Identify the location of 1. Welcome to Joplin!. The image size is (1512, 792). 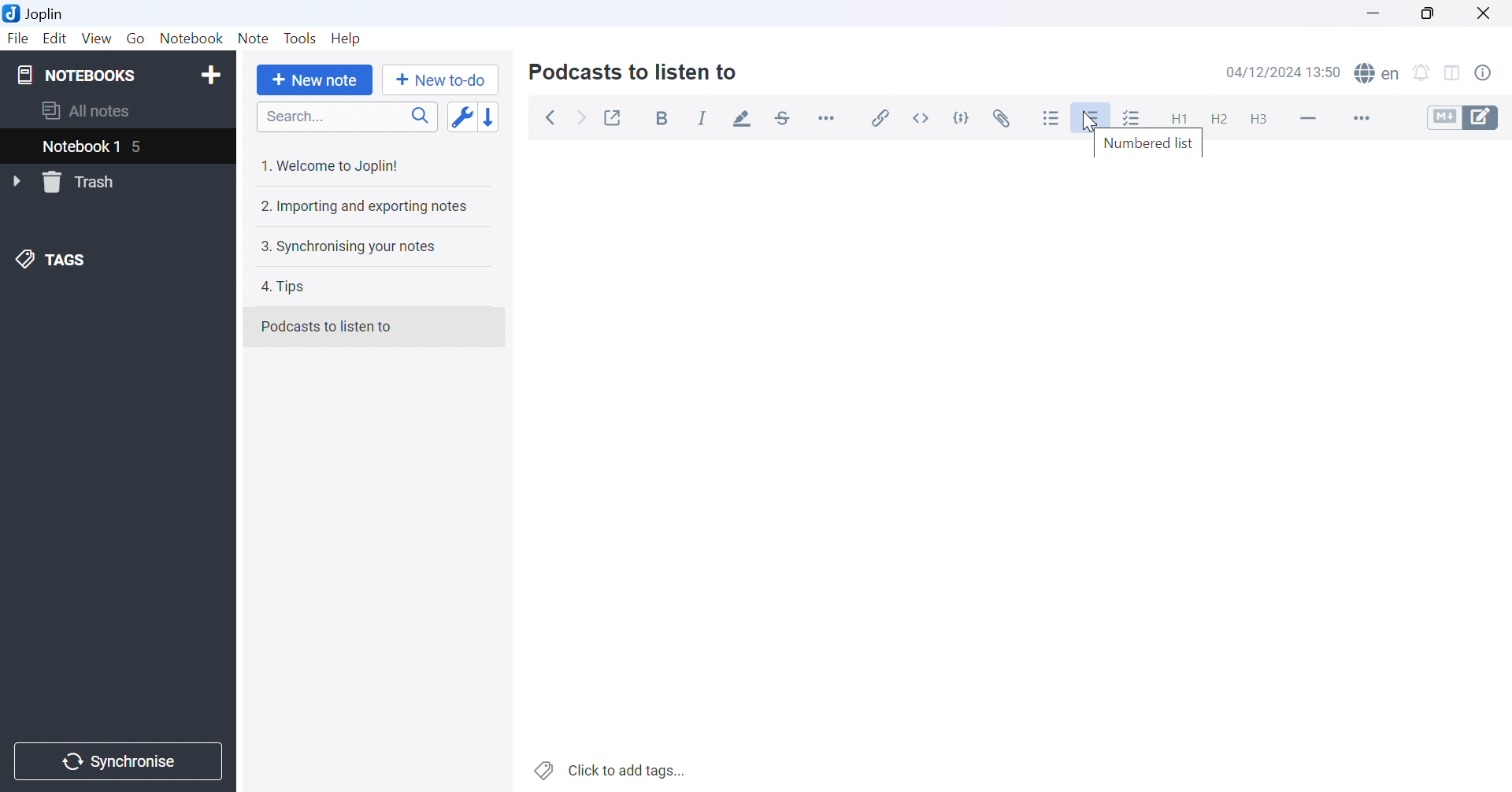
(332, 167).